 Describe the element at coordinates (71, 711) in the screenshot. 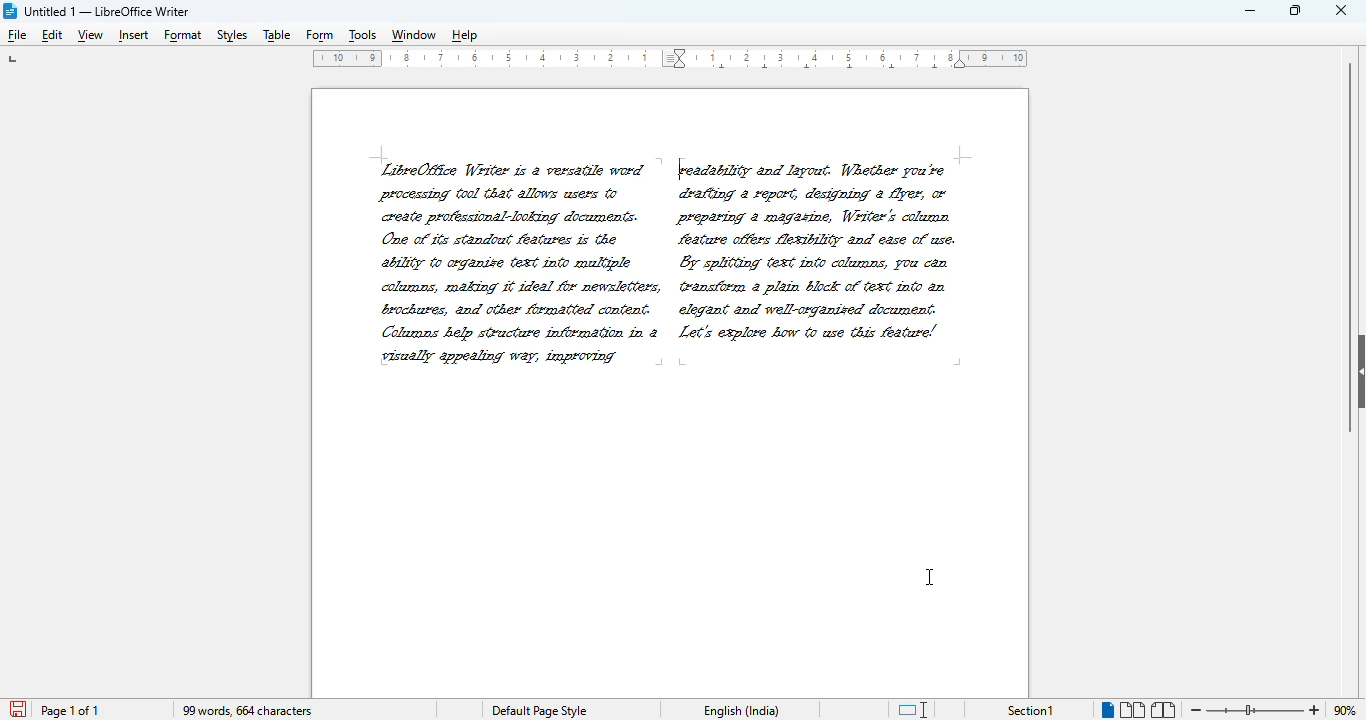

I see `page 1 of 1` at that location.